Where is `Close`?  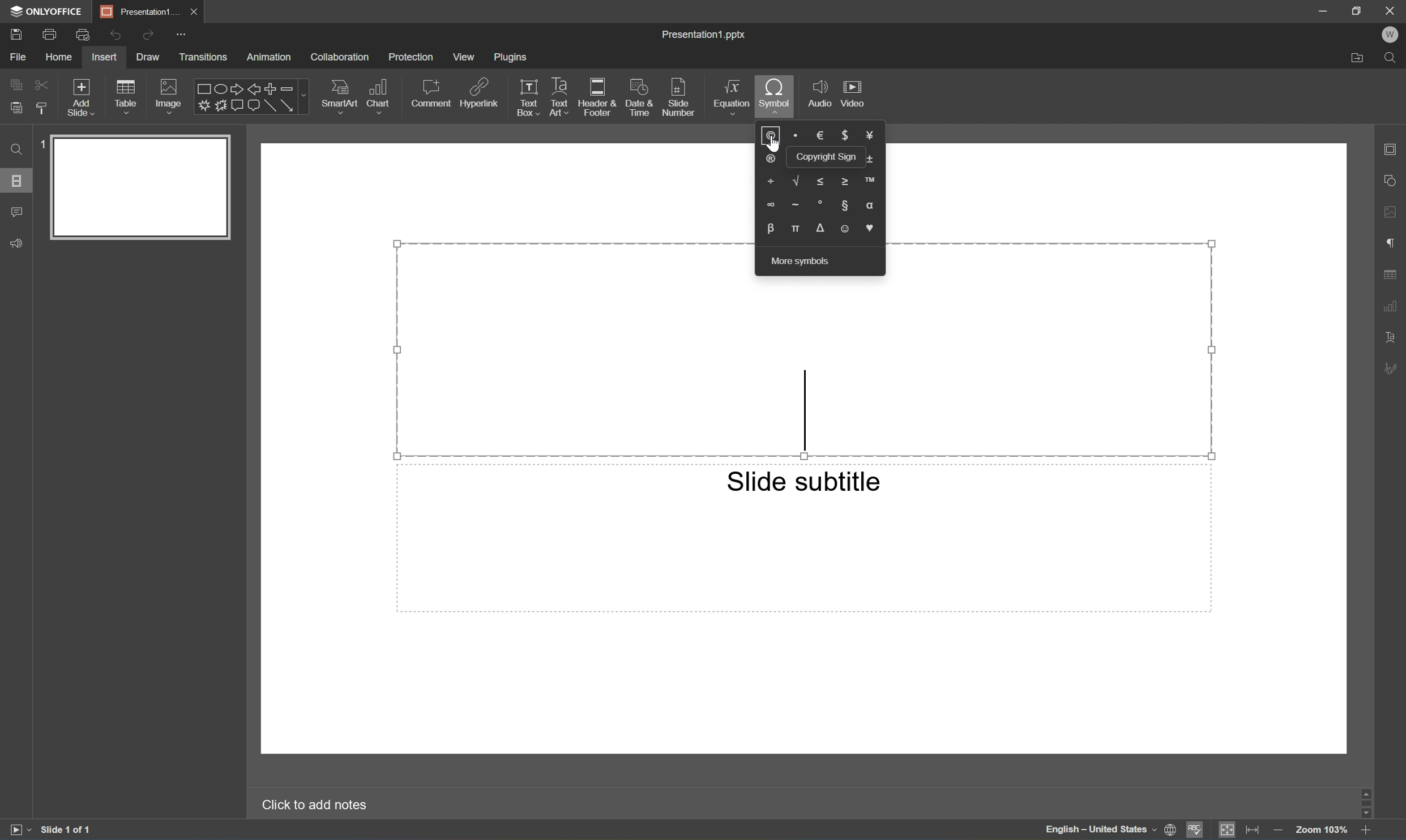
Close is located at coordinates (1390, 10).